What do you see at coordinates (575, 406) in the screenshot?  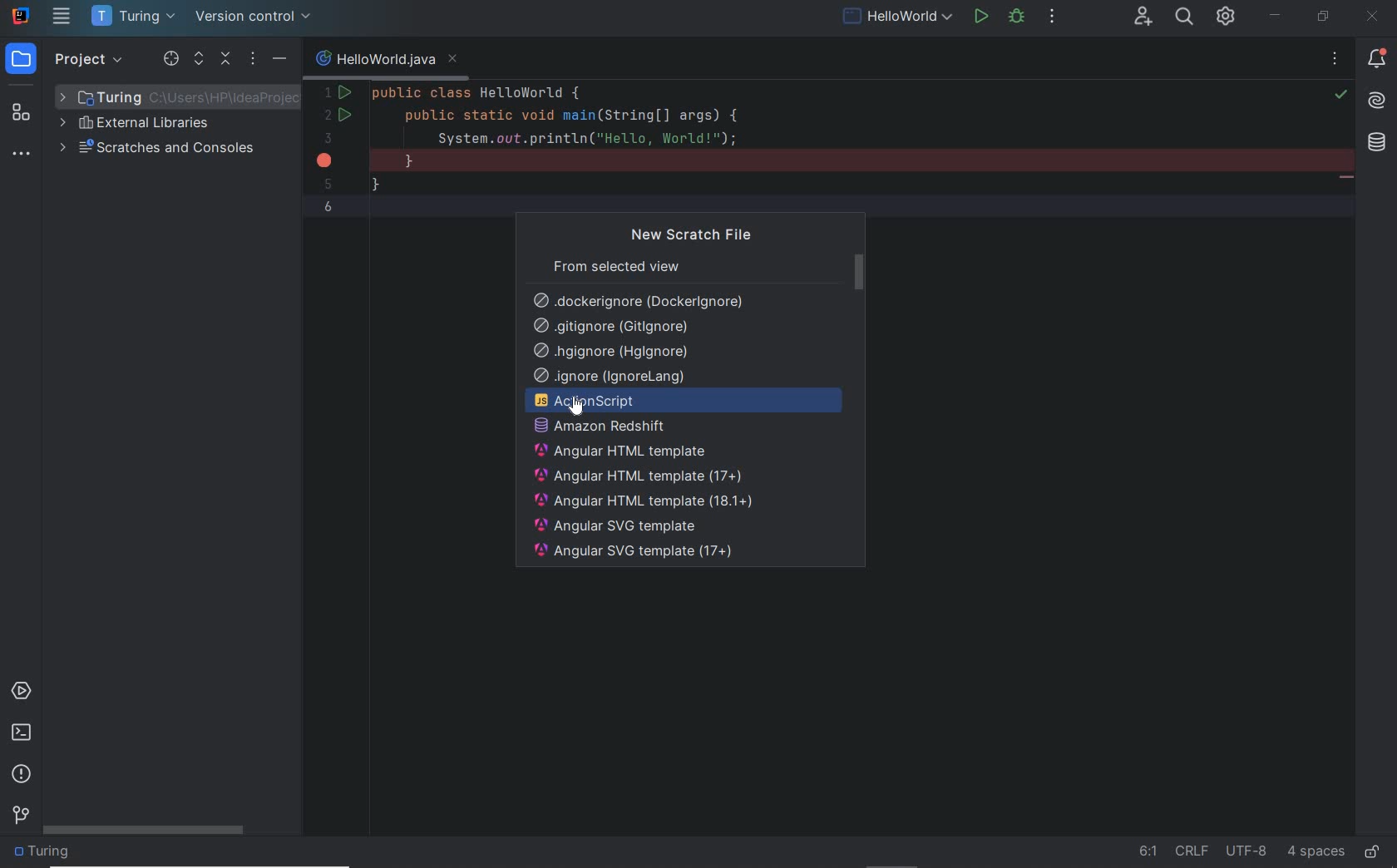 I see `cursor` at bounding box center [575, 406].